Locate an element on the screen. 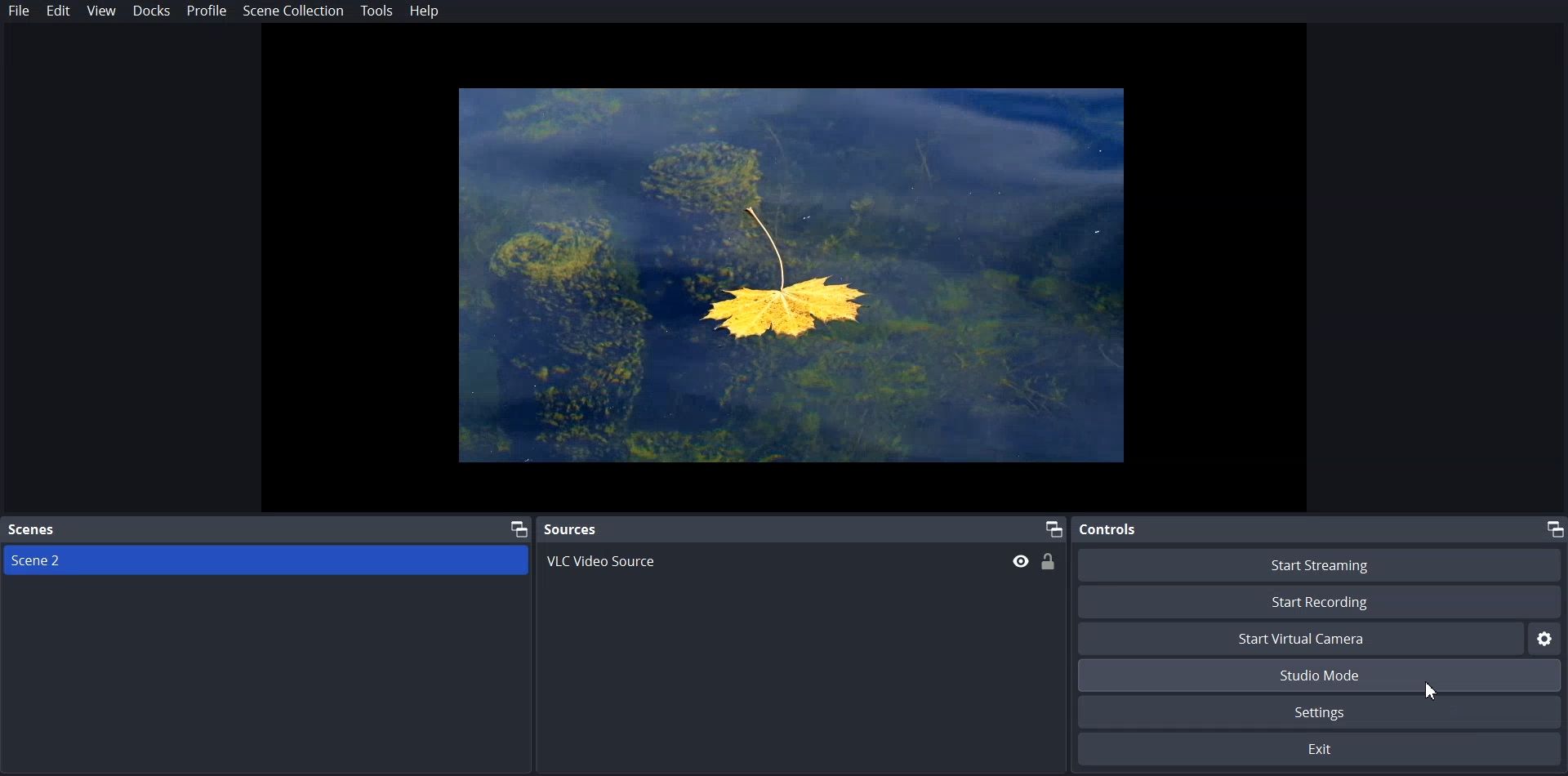 This screenshot has width=1568, height=776. Edit is located at coordinates (58, 11).